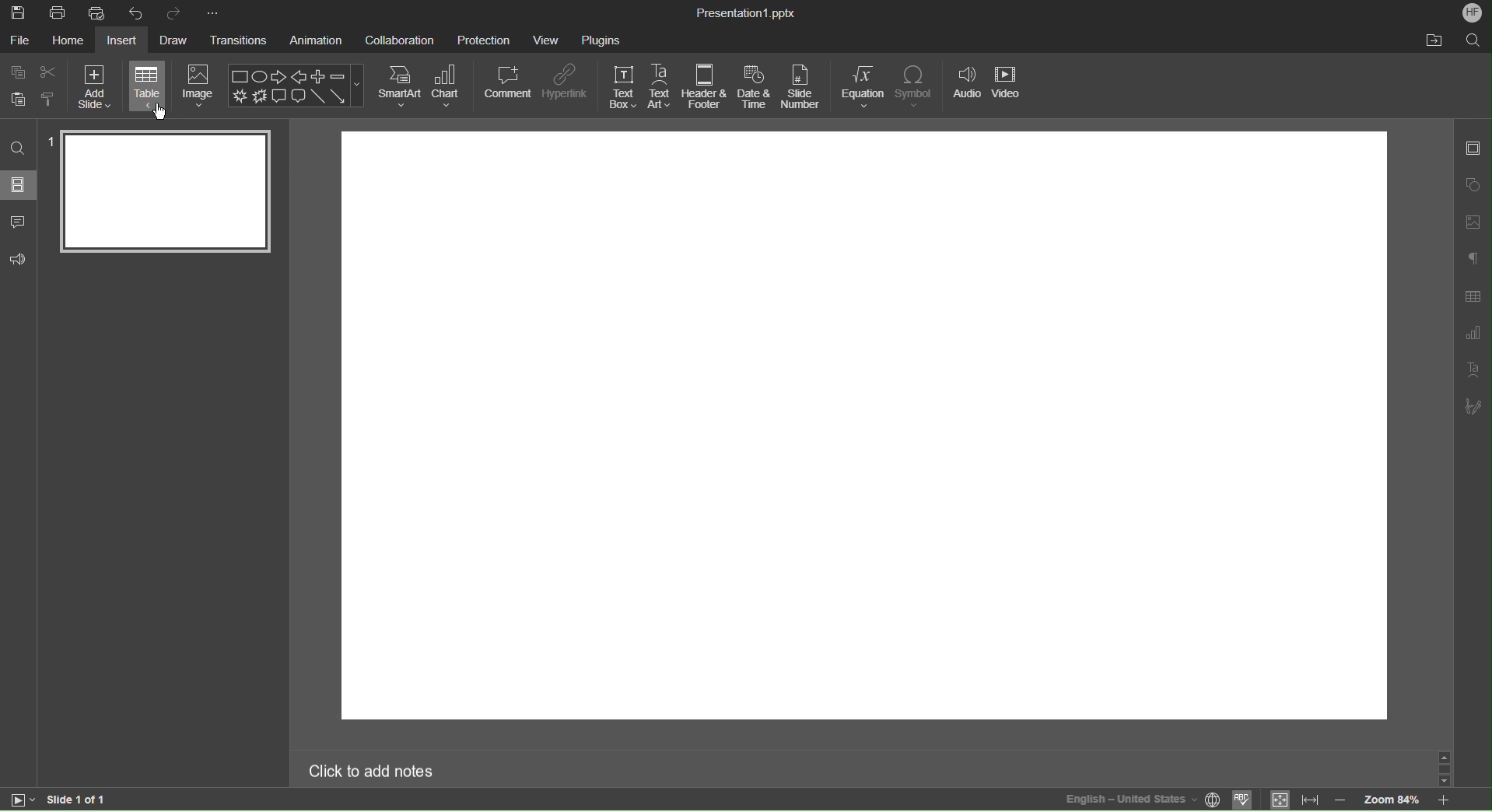  I want to click on Search, so click(19, 149).